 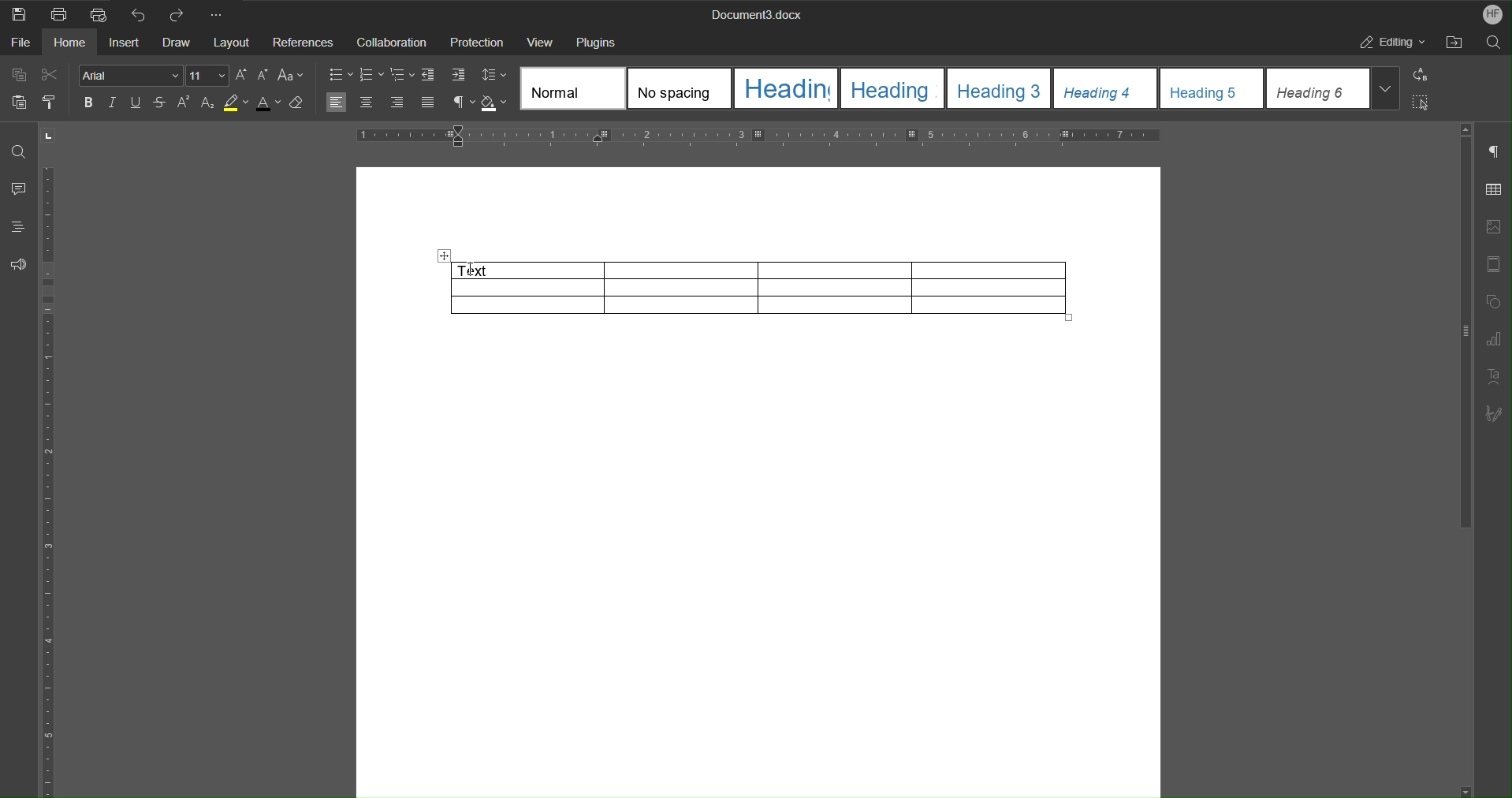 I want to click on Header/Footer, so click(x=1495, y=261).